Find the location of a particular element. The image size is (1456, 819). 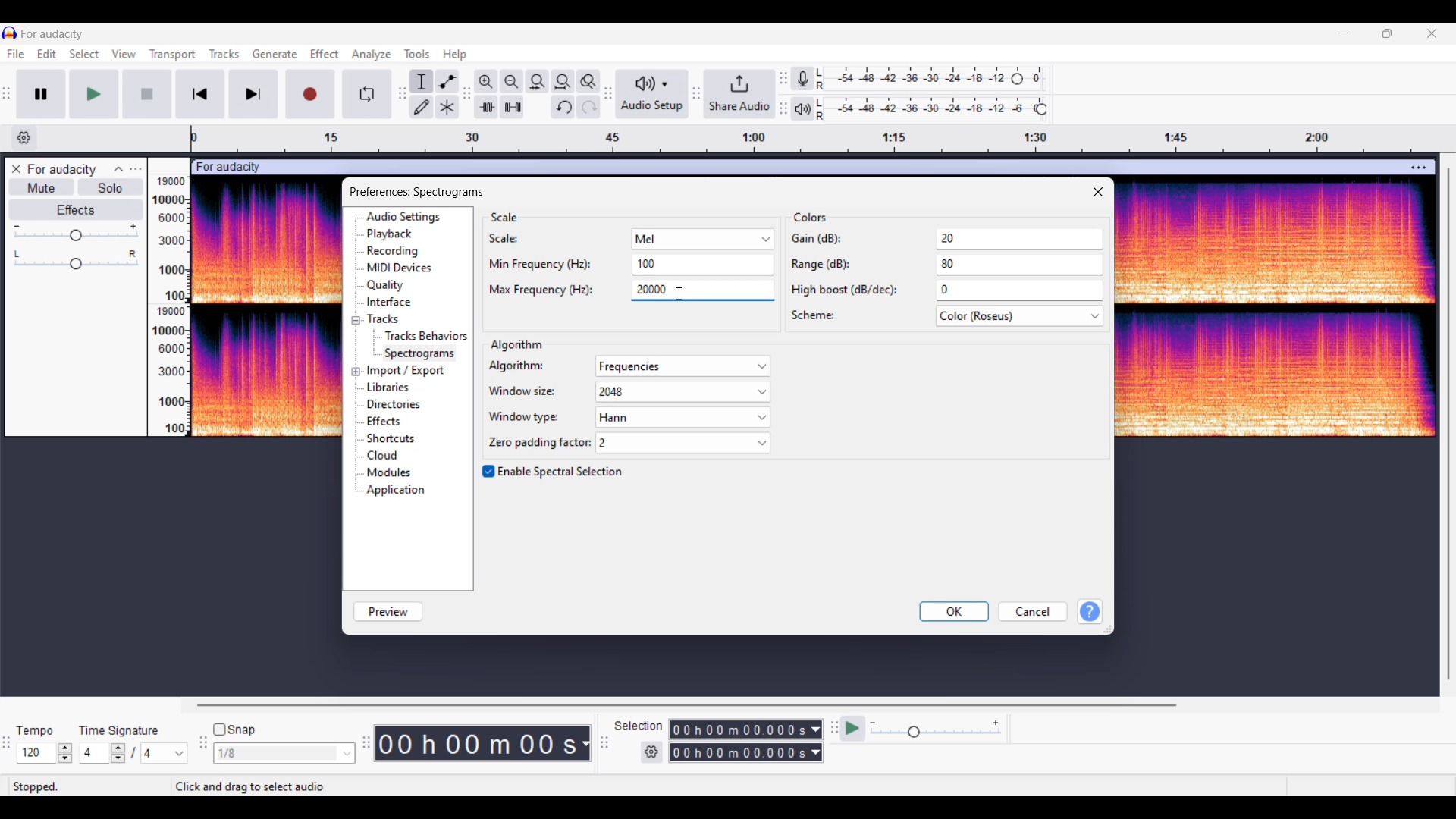

high boost is located at coordinates (945, 291).